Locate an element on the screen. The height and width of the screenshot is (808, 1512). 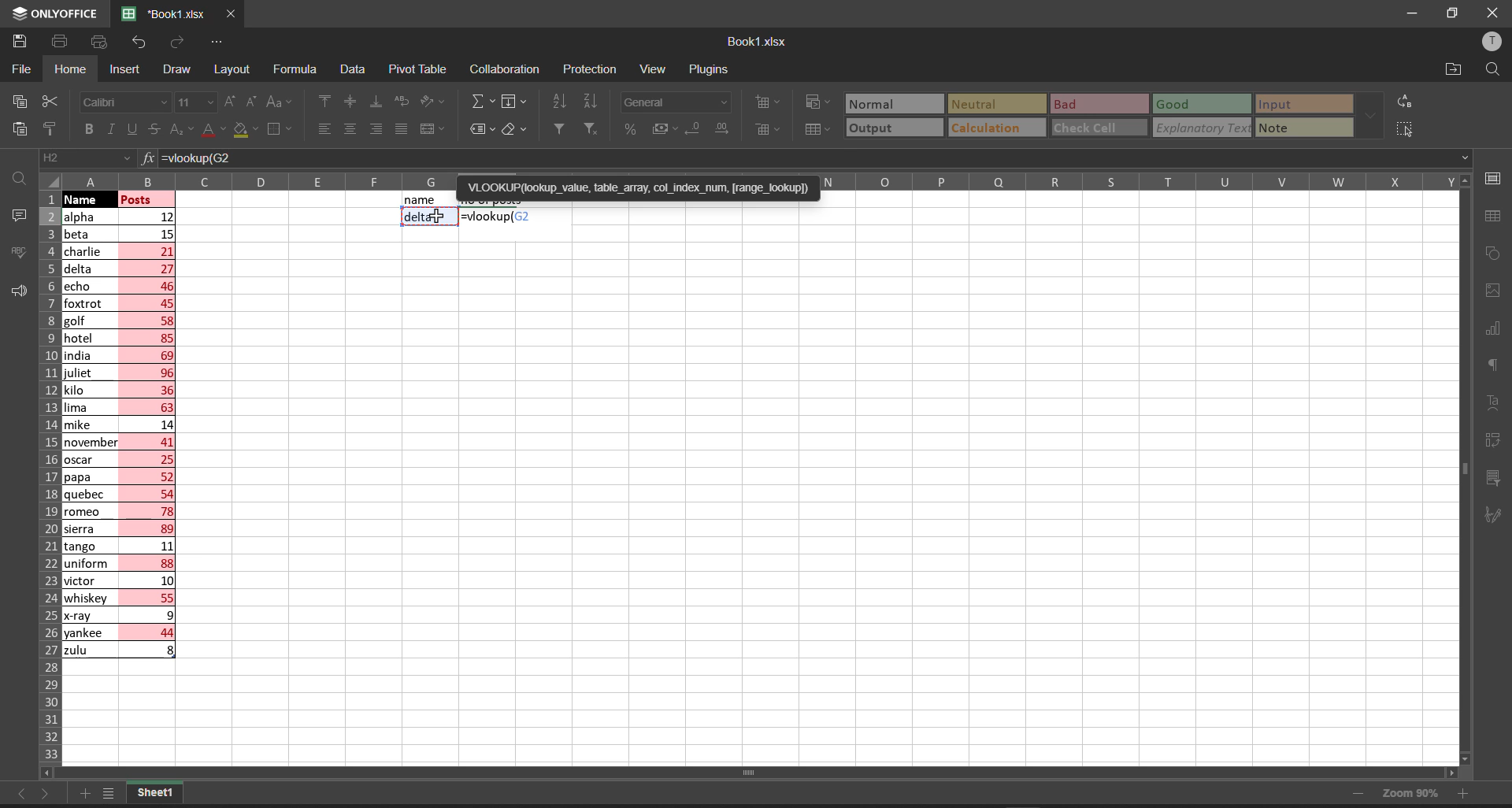
pivot table is located at coordinates (418, 67).